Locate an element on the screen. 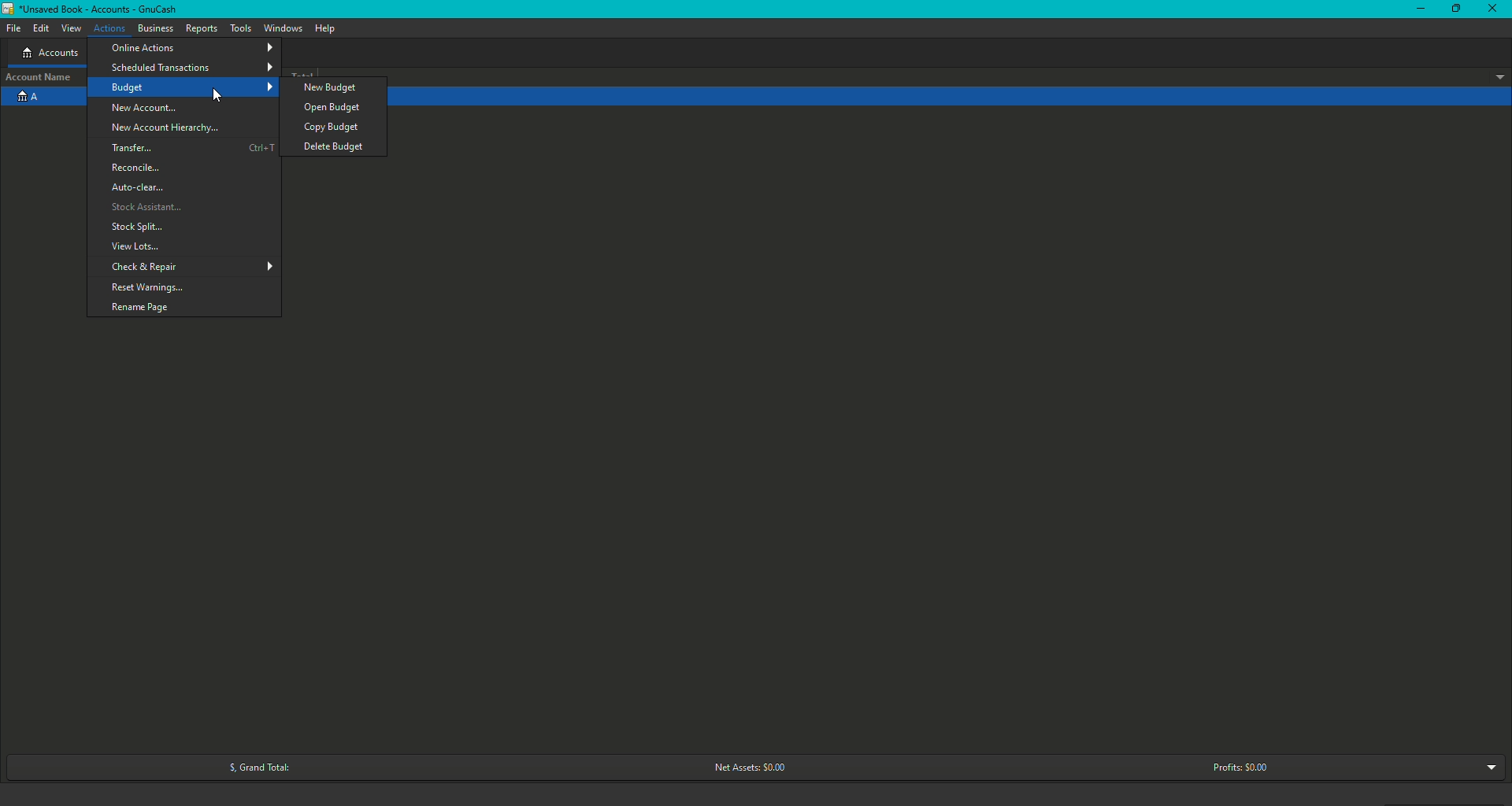 Image resolution: width=1512 pixels, height=806 pixels. Account A is located at coordinates (31, 98).